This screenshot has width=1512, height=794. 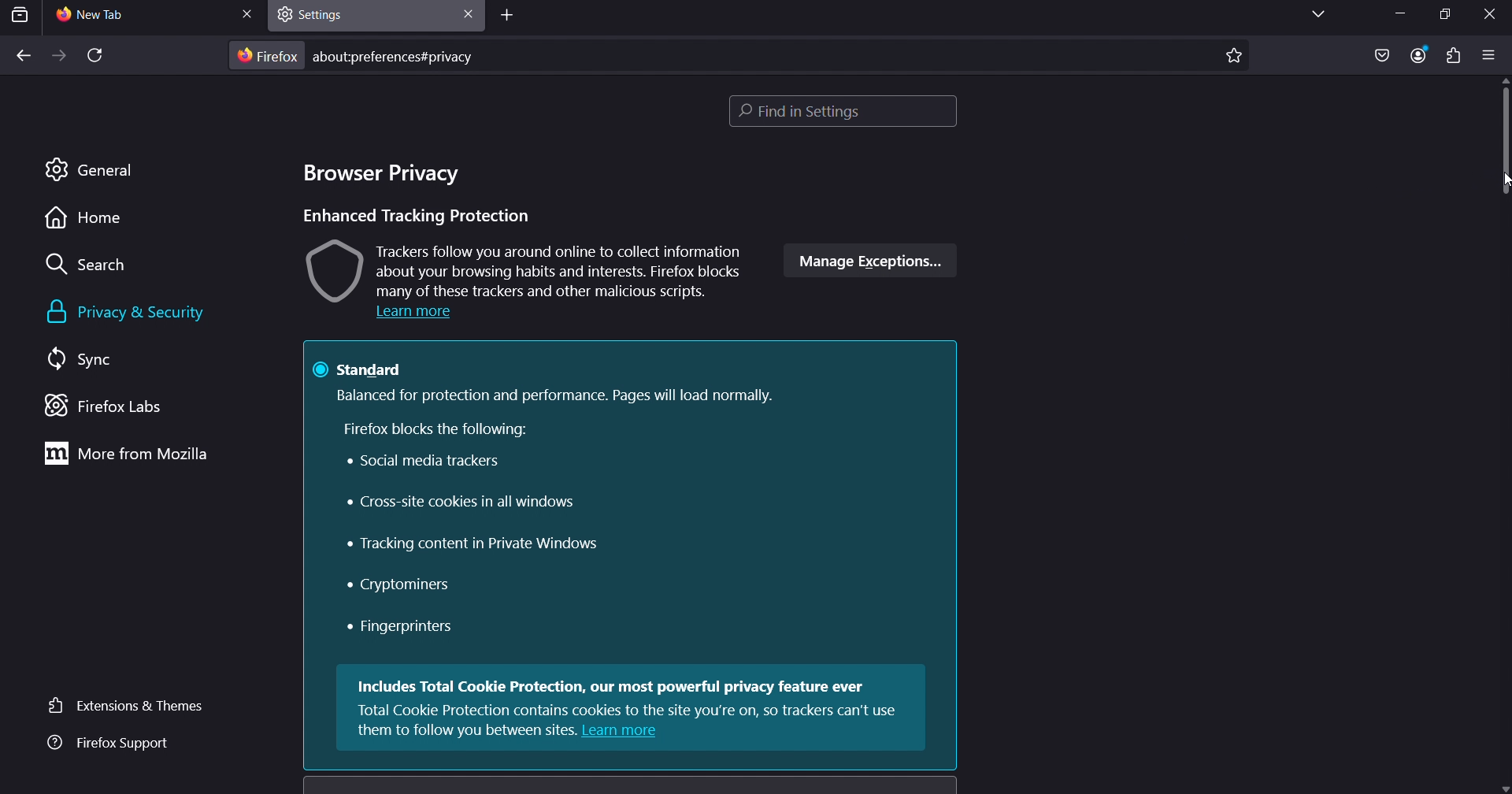 I want to click on current tab, so click(x=110, y=16).